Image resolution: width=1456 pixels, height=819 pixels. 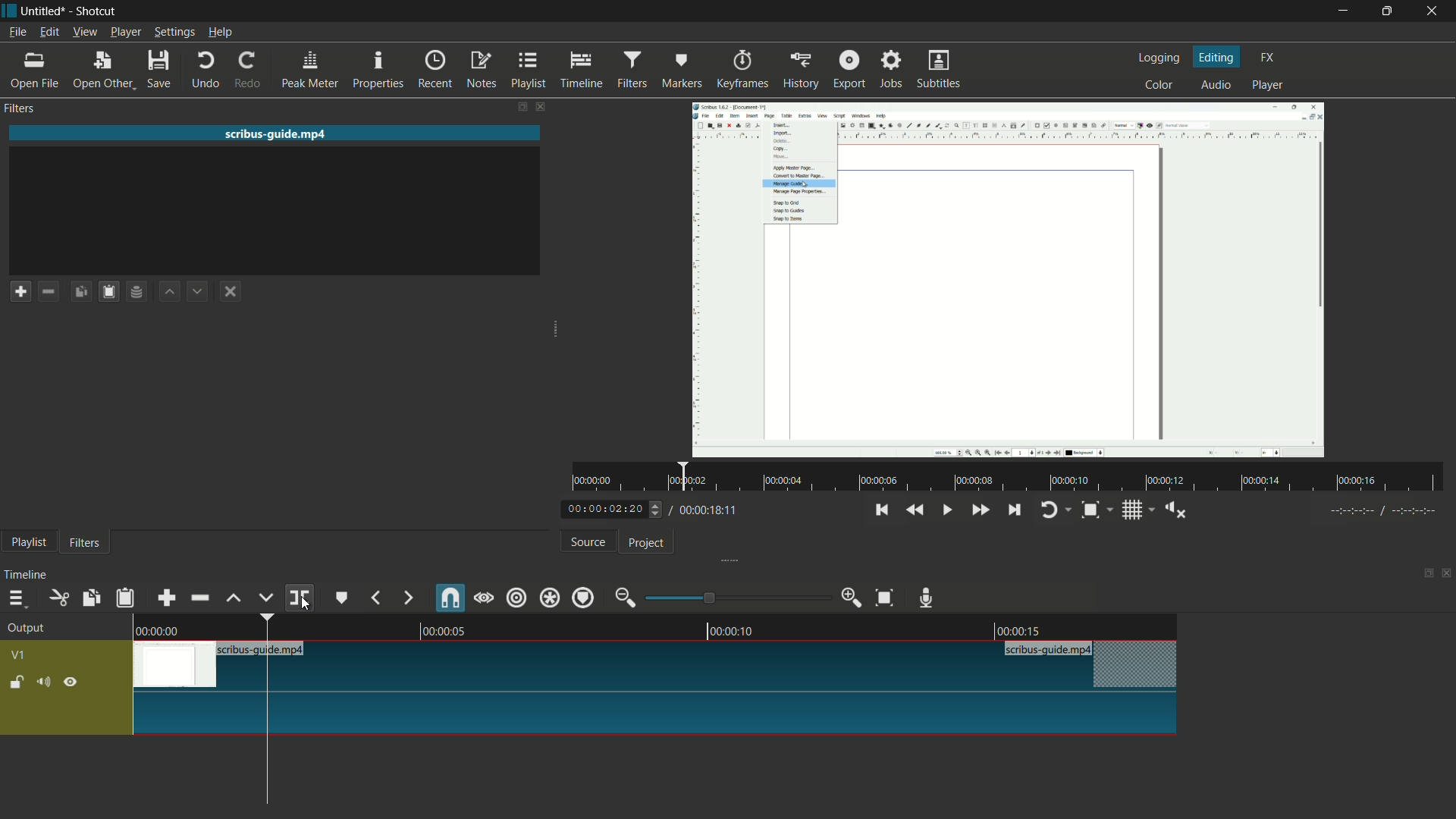 I want to click on cut, so click(x=58, y=598).